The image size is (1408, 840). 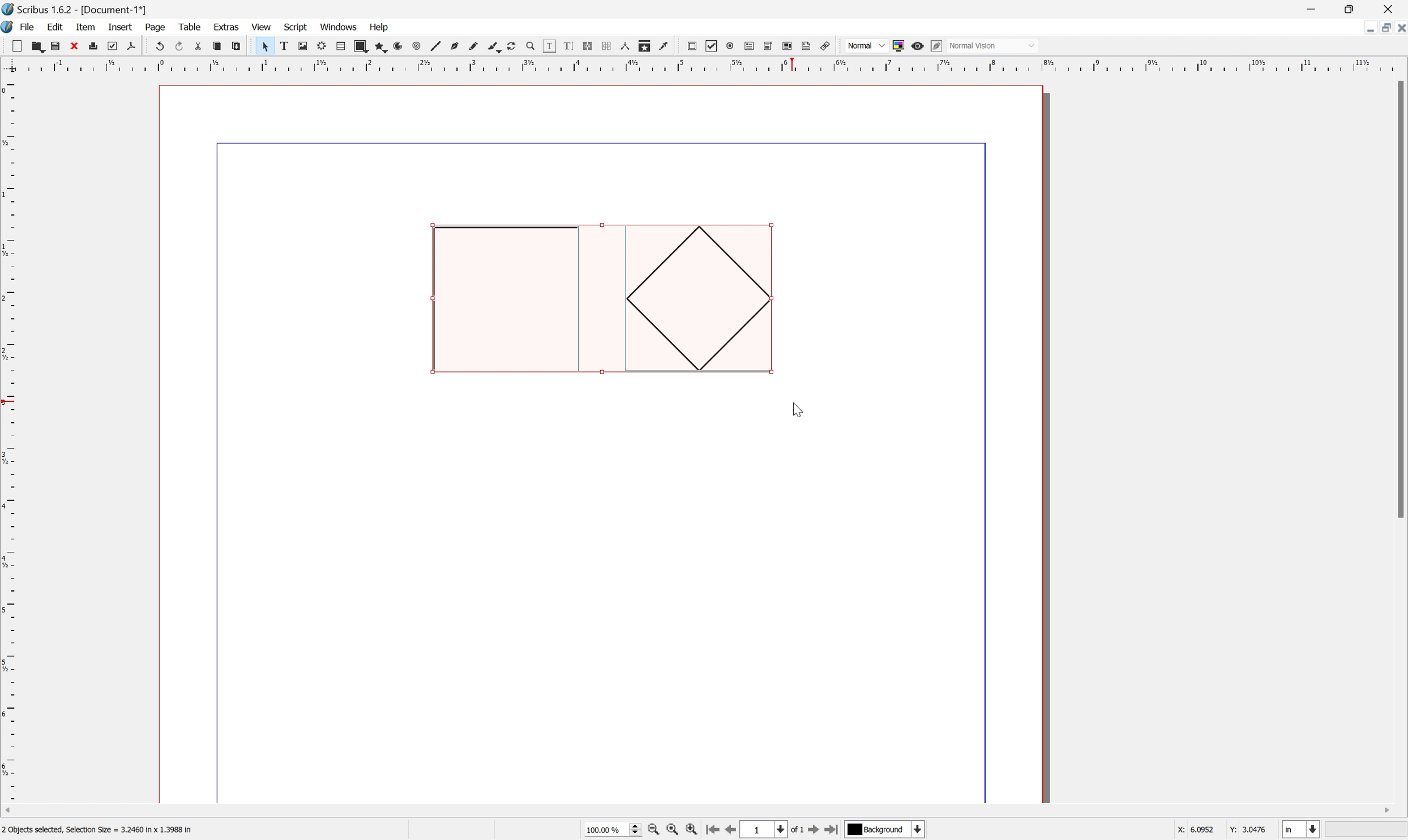 What do you see at coordinates (262, 46) in the screenshot?
I see `select item` at bounding box center [262, 46].